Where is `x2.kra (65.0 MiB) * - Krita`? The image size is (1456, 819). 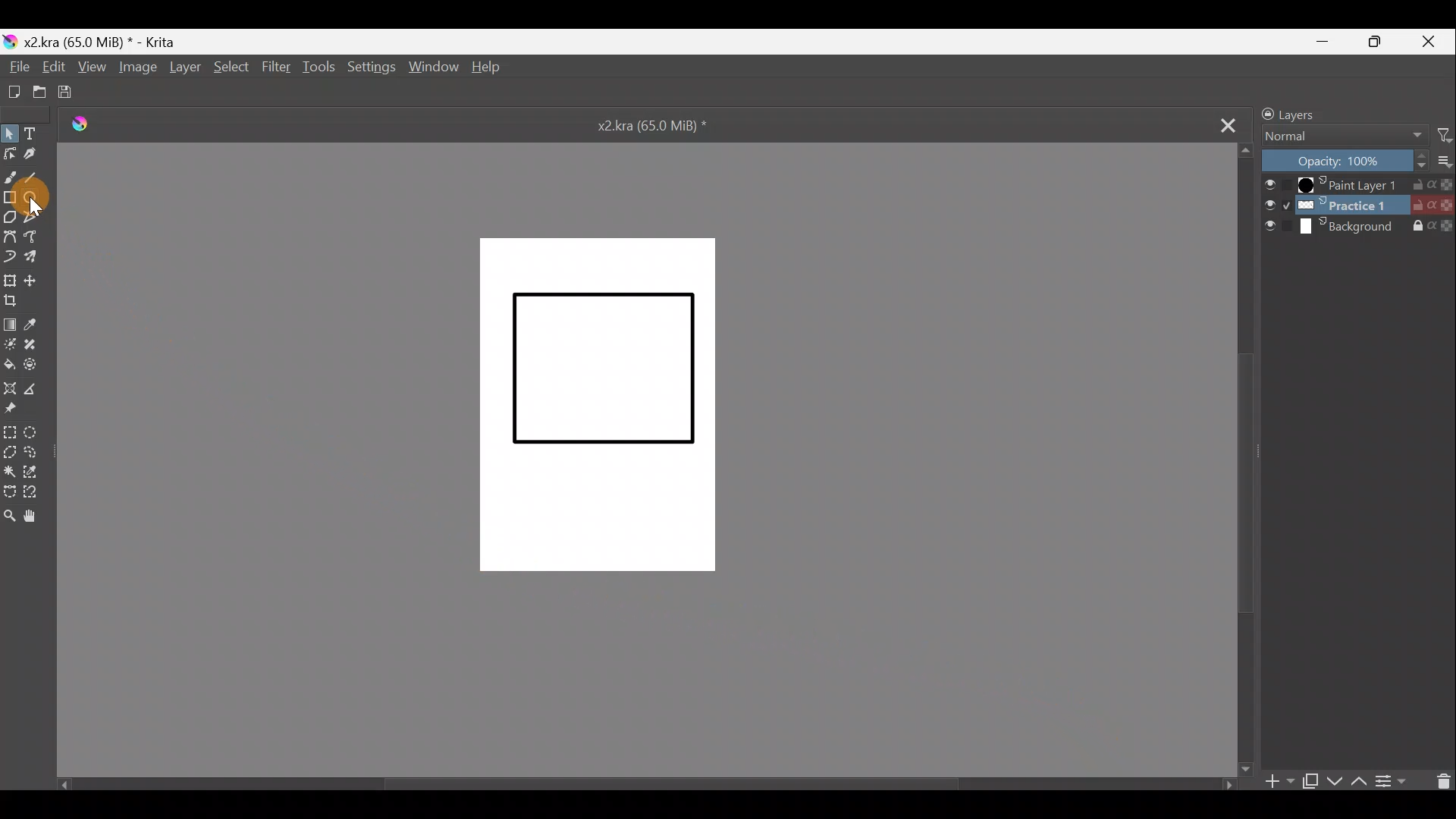
x2.kra (65.0 MiB) * - Krita is located at coordinates (108, 39).